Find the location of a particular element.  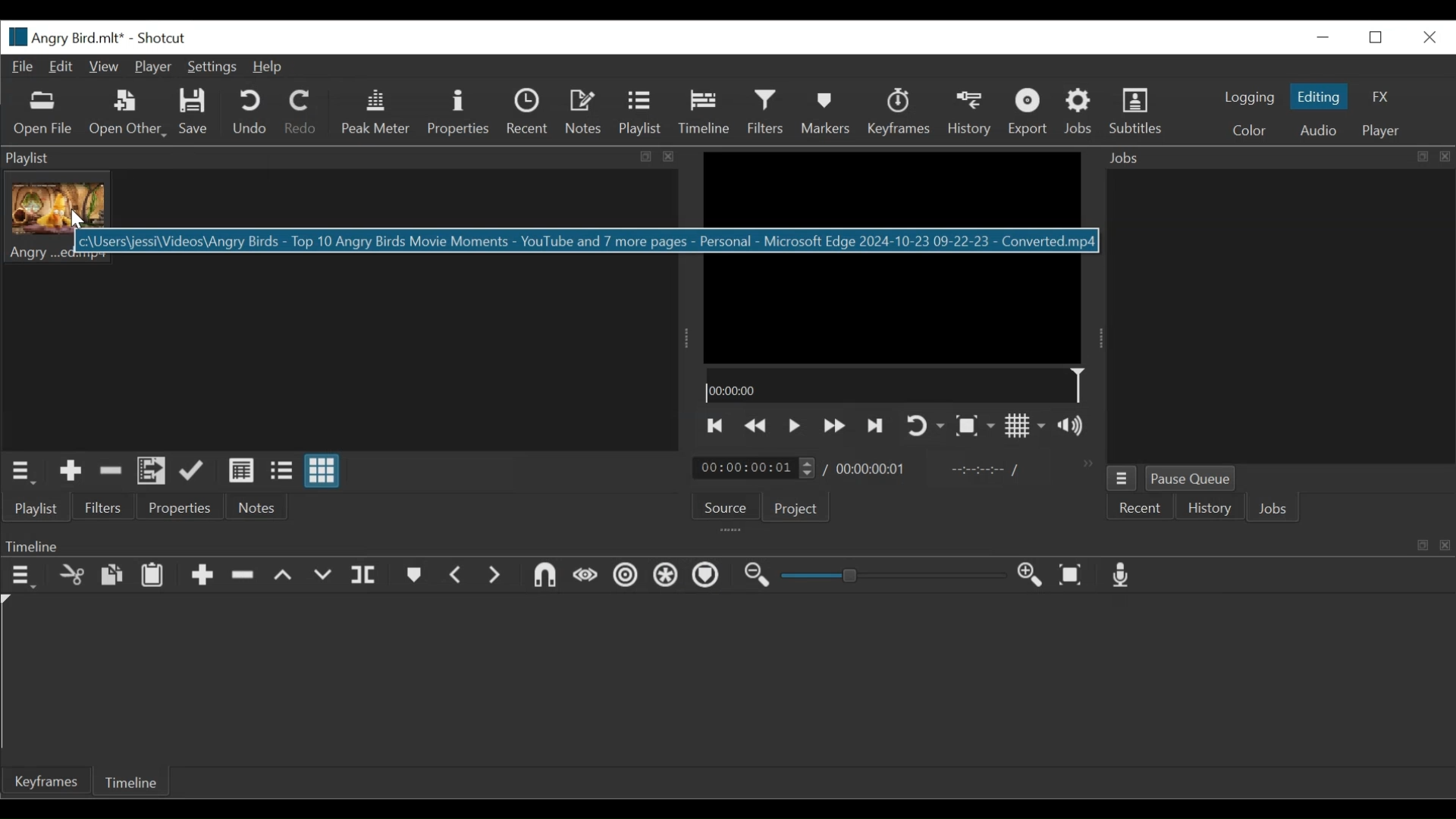

Show thevolume control is located at coordinates (1075, 426).